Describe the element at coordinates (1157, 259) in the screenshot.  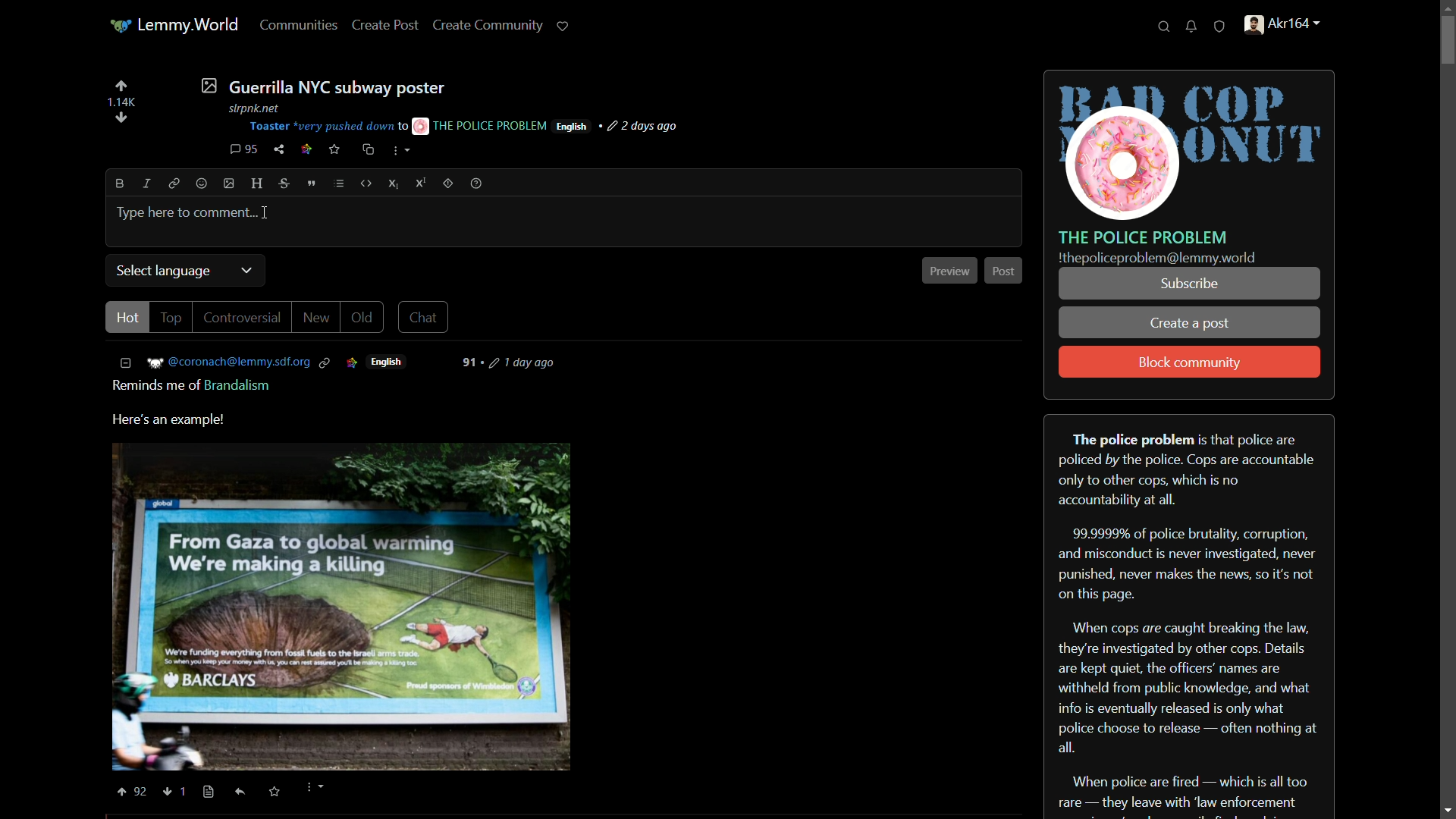
I see `text` at that location.